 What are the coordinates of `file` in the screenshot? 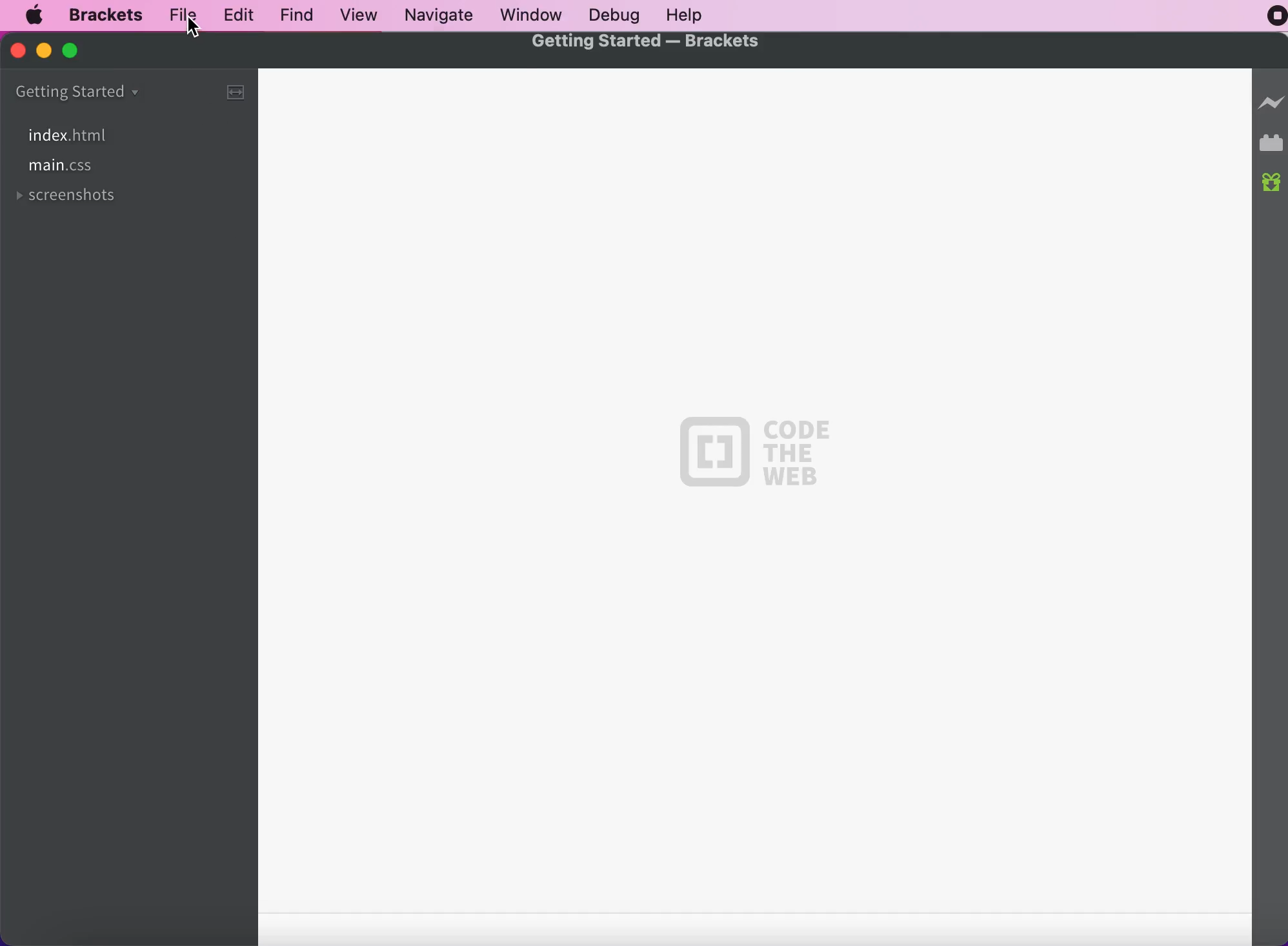 It's located at (186, 13).